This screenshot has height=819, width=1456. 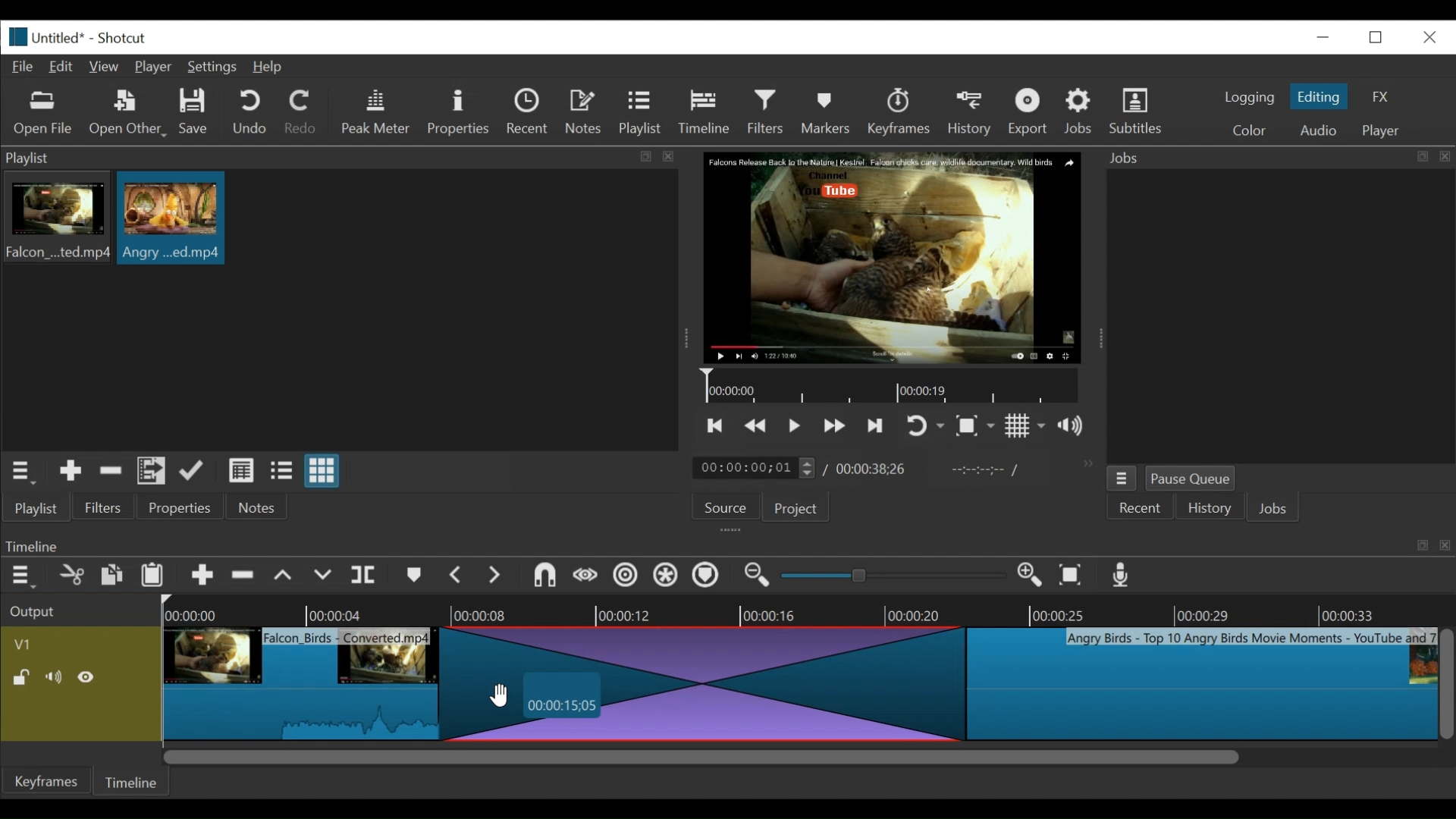 What do you see at coordinates (1323, 36) in the screenshot?
I see `minimize` at bounding box center [1323, 36].